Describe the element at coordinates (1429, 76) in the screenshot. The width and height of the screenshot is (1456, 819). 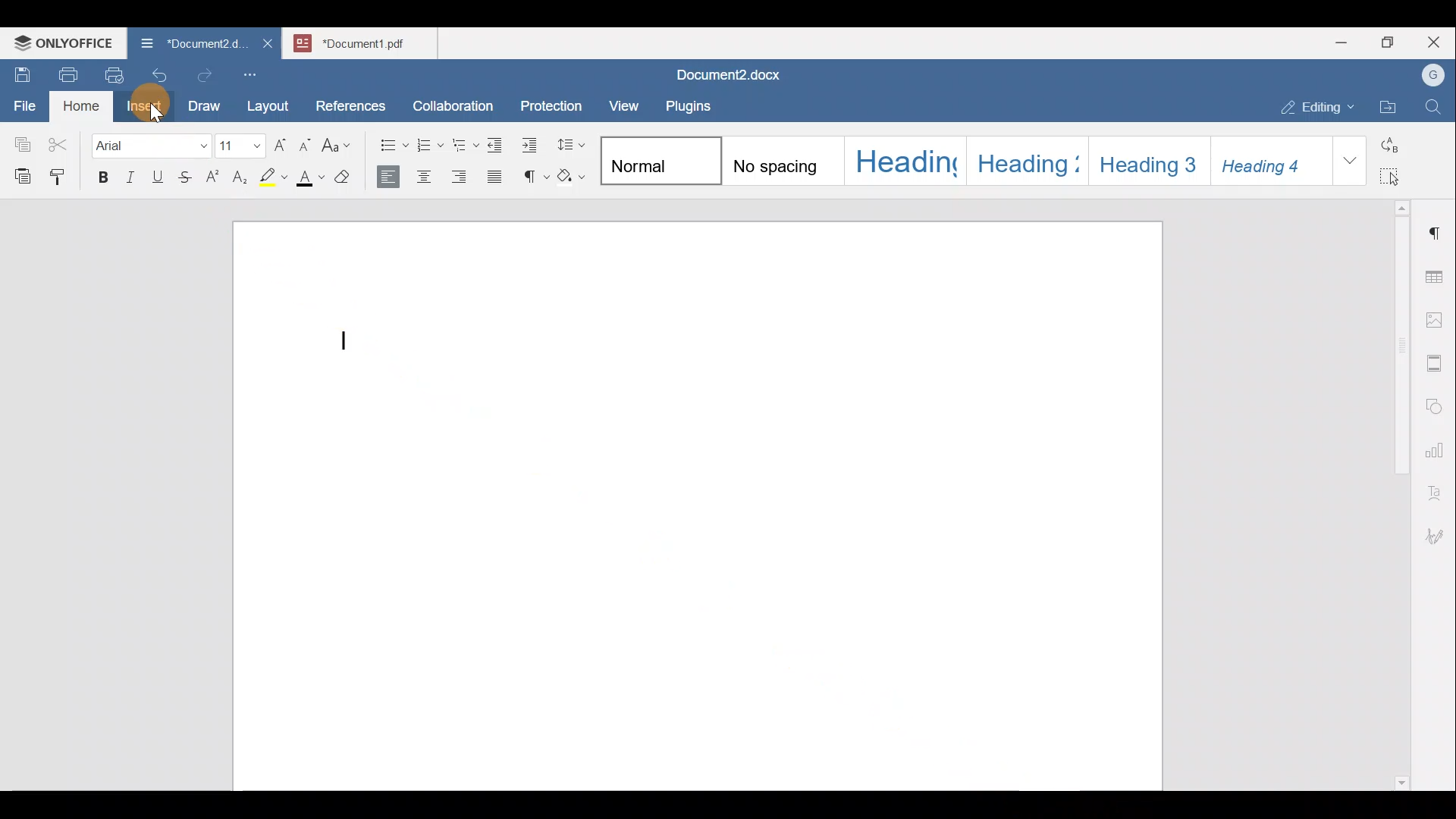
I see `Account name` at that location.